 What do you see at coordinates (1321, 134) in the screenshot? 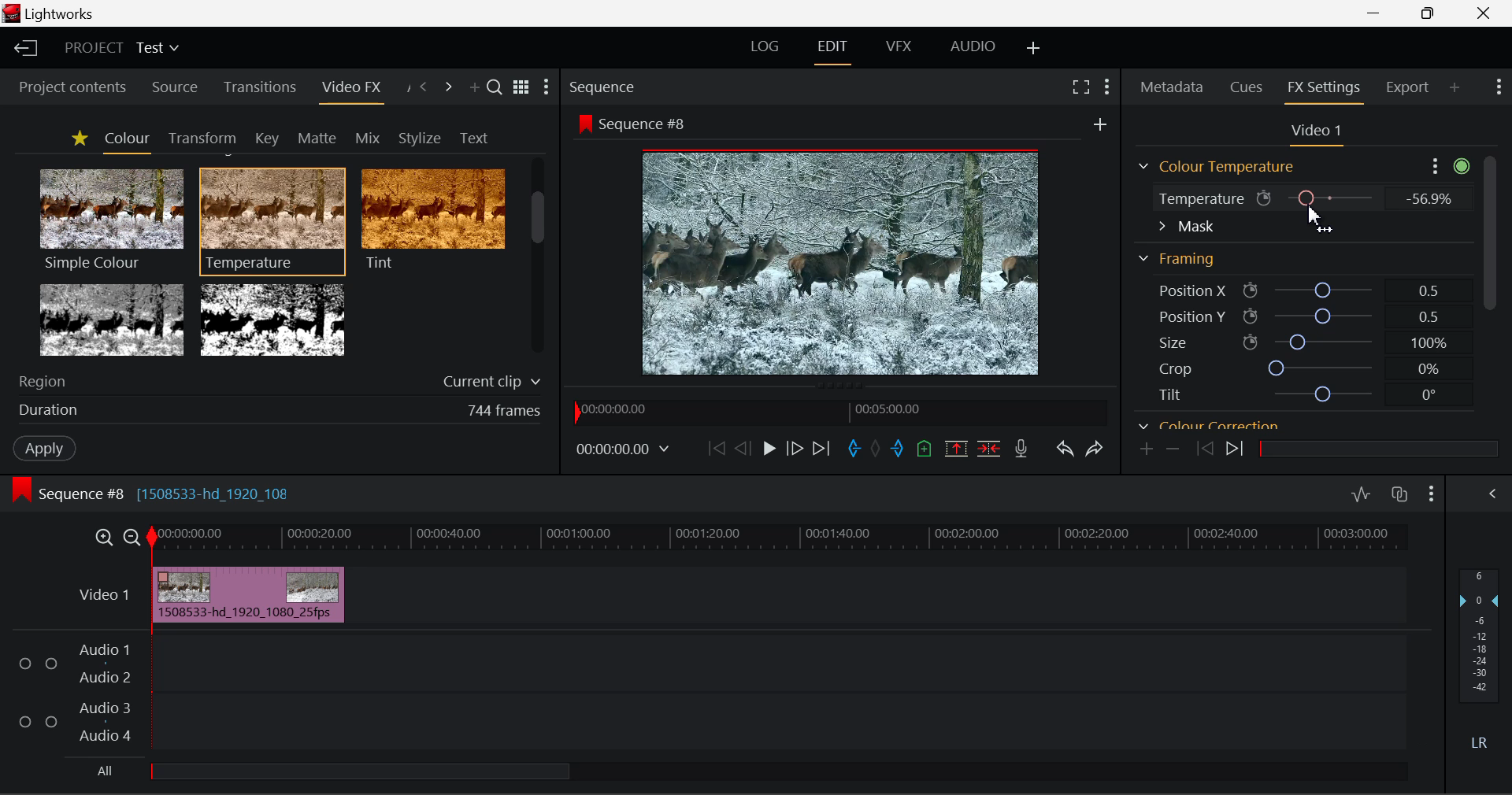
I see `Video Settings` at bounding box center [1321, 134].